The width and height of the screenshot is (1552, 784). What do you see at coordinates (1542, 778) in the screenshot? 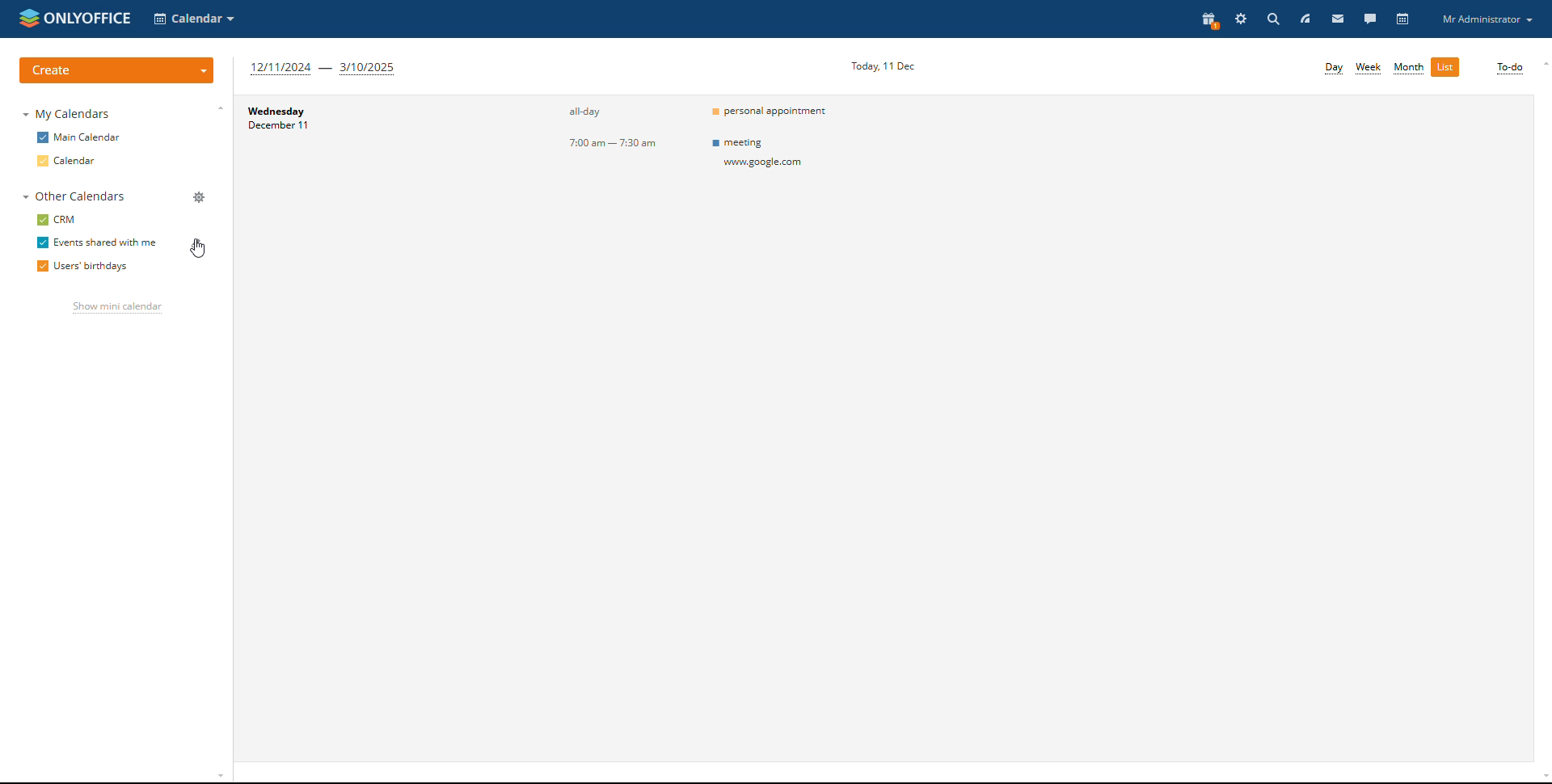
I see `scroll down` at bounding box center [1542, 778].